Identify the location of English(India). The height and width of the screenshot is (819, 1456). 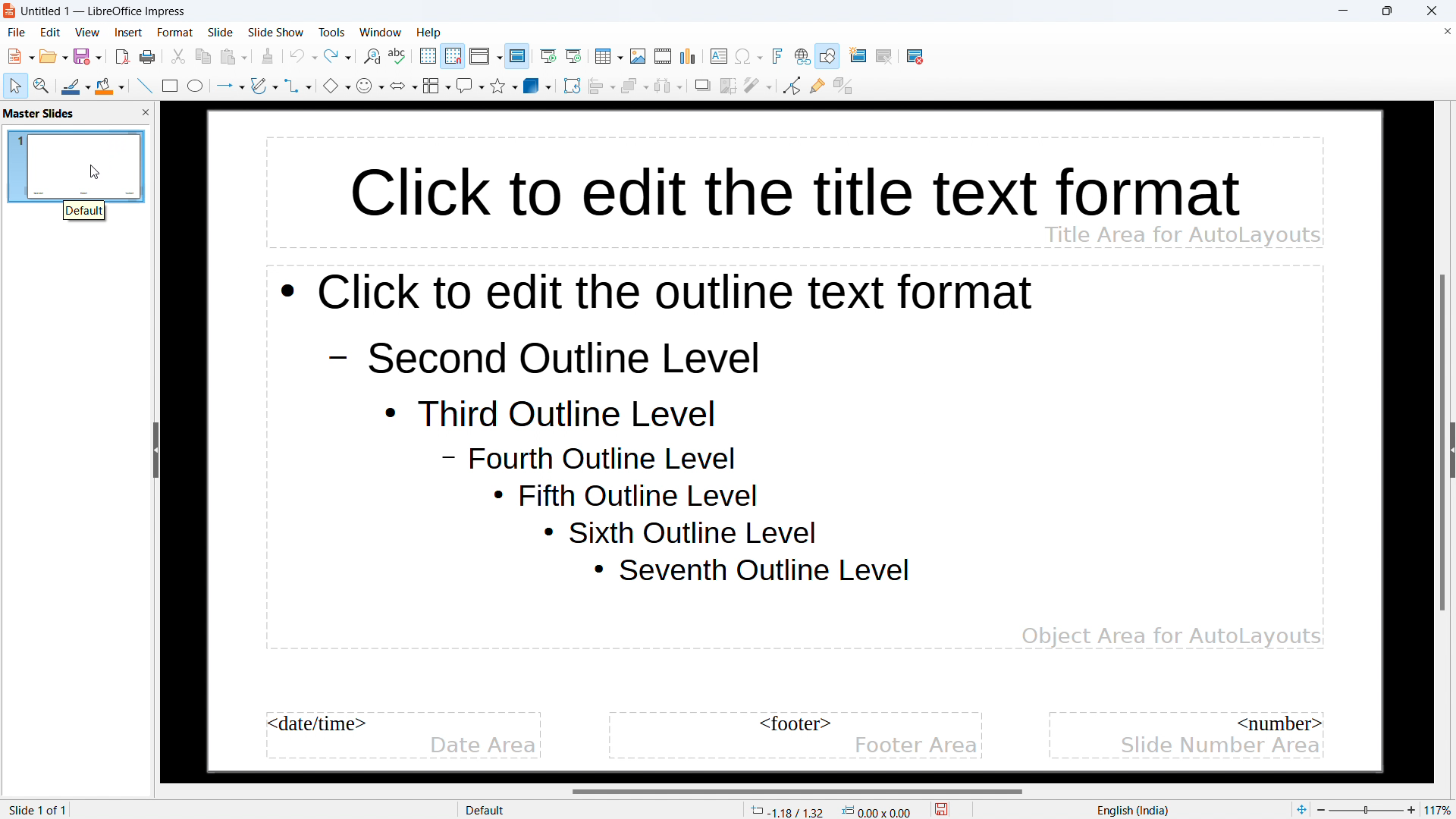
(1129, 811).